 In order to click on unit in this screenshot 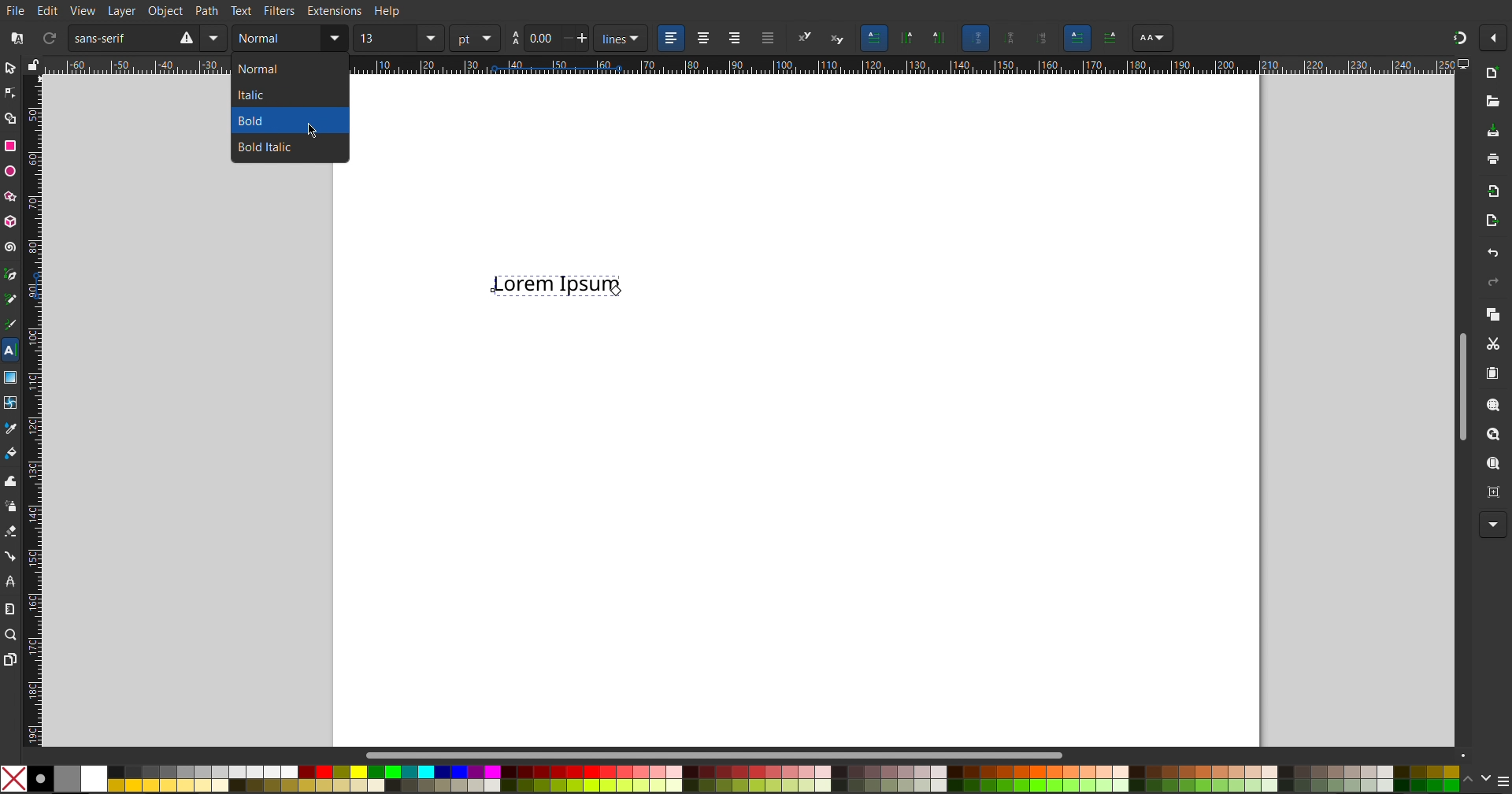, I will do `click(622, 39)`.